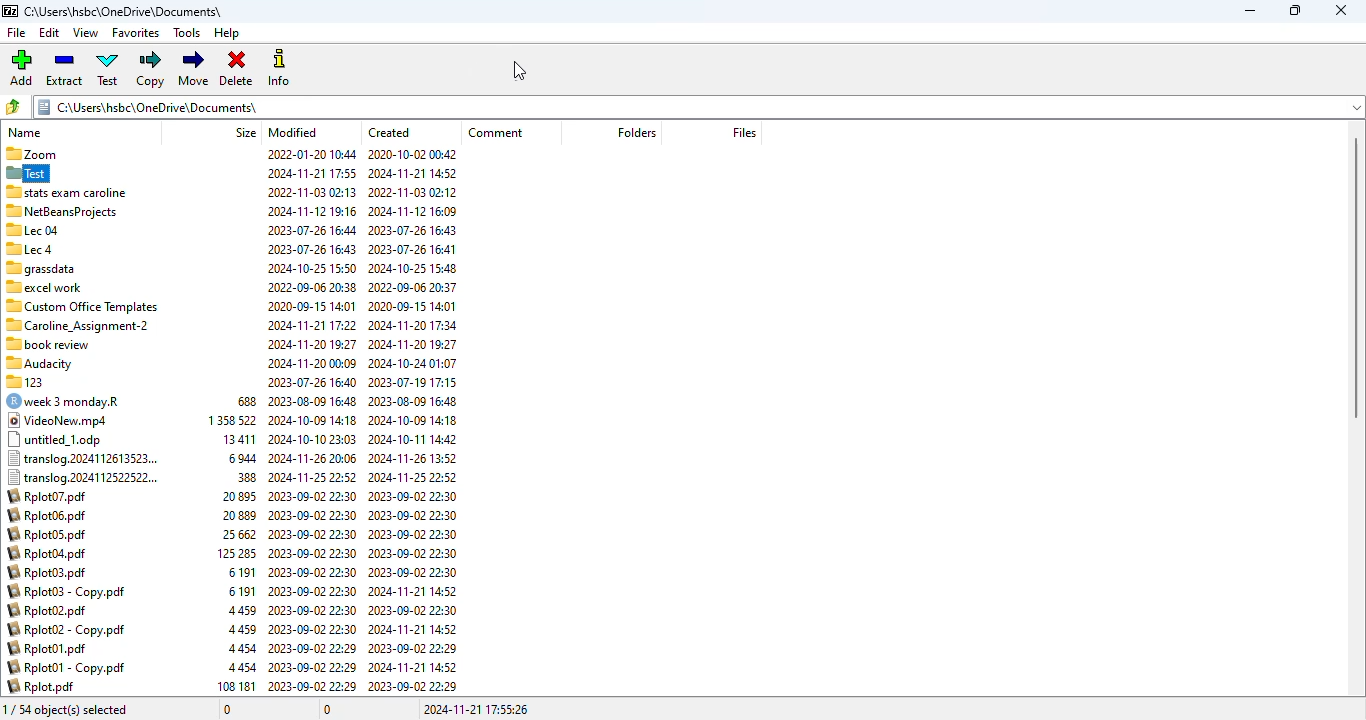 The image size is (1366, 720). What do you see at coordinates (390, 132) in the screenshot?
I see `created` at bounding box center [390, 132].